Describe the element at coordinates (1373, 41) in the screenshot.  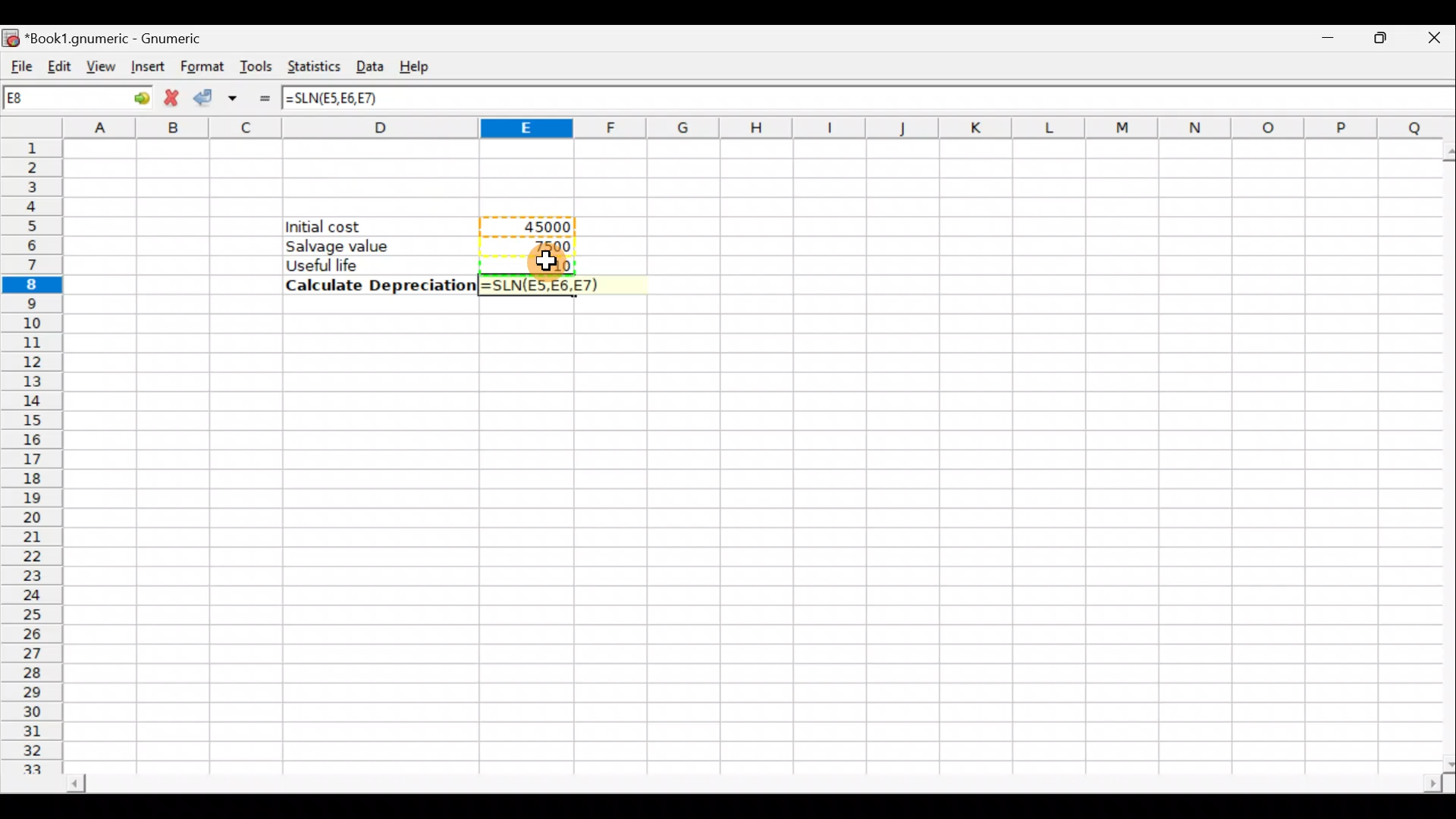
I see `Maximize` at that location.